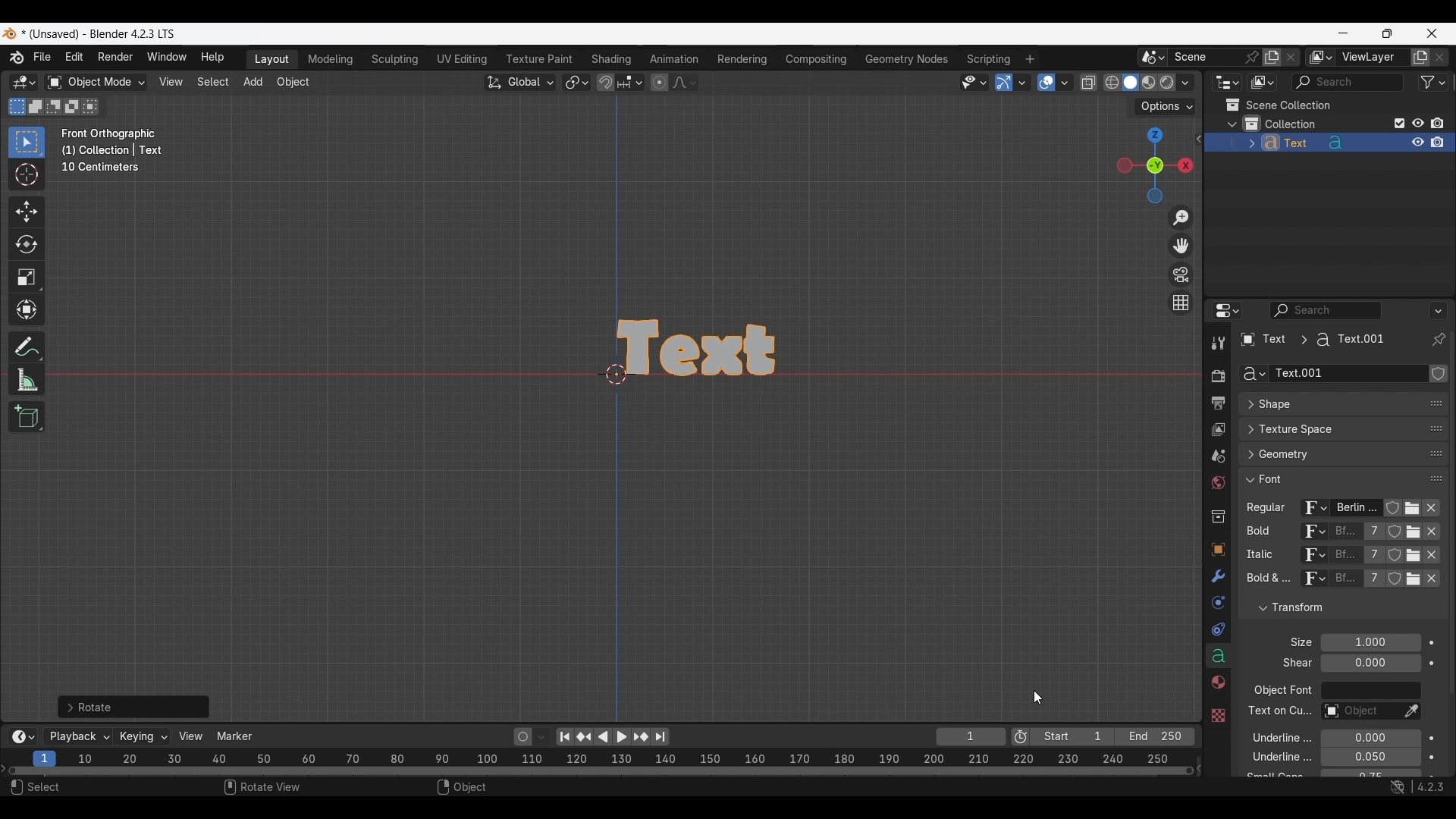  Describe the element at coordinates (1185, 83) in the screenshot. I see `Shading` at that location.